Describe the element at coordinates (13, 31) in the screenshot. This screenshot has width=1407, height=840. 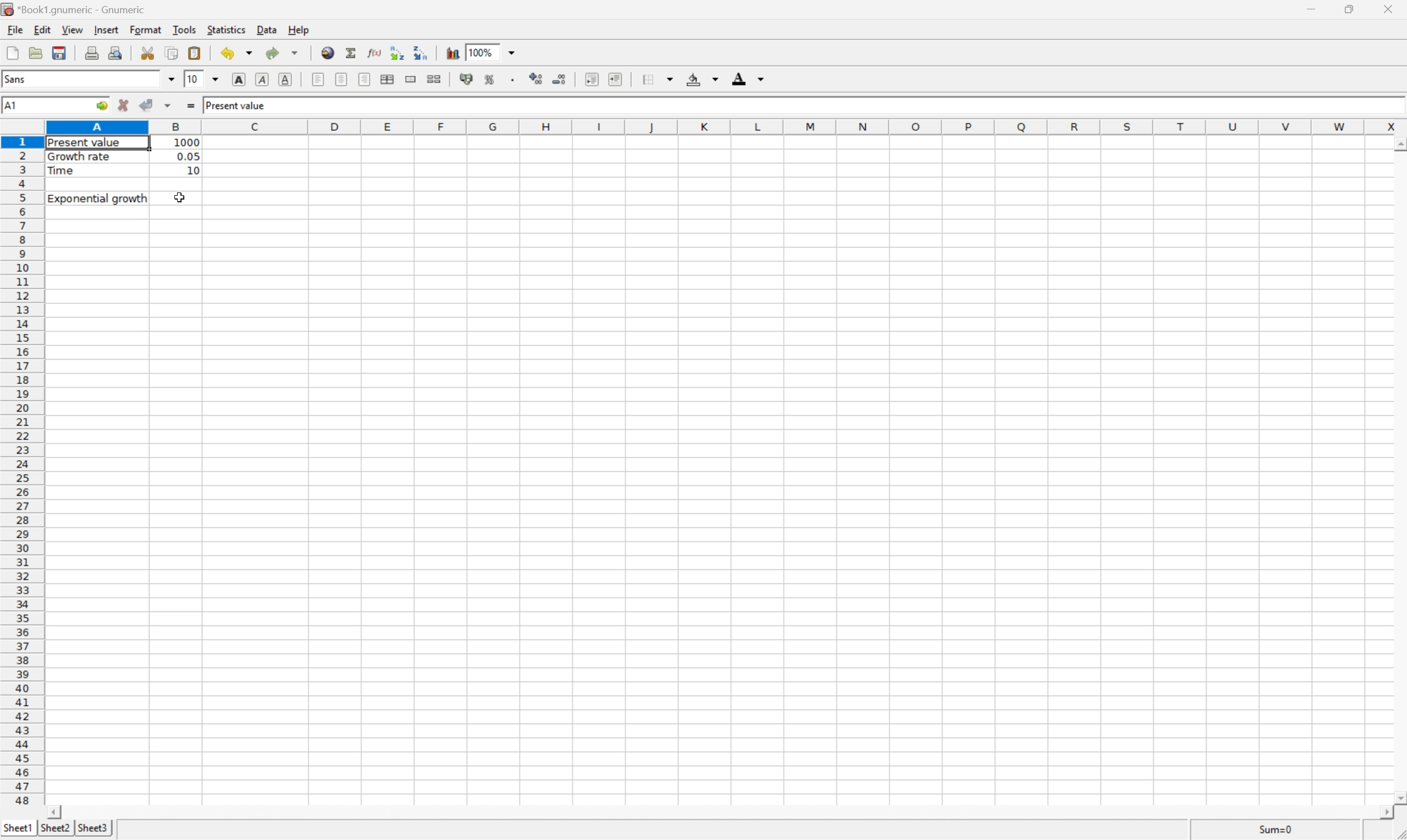
I see `File` at that location.